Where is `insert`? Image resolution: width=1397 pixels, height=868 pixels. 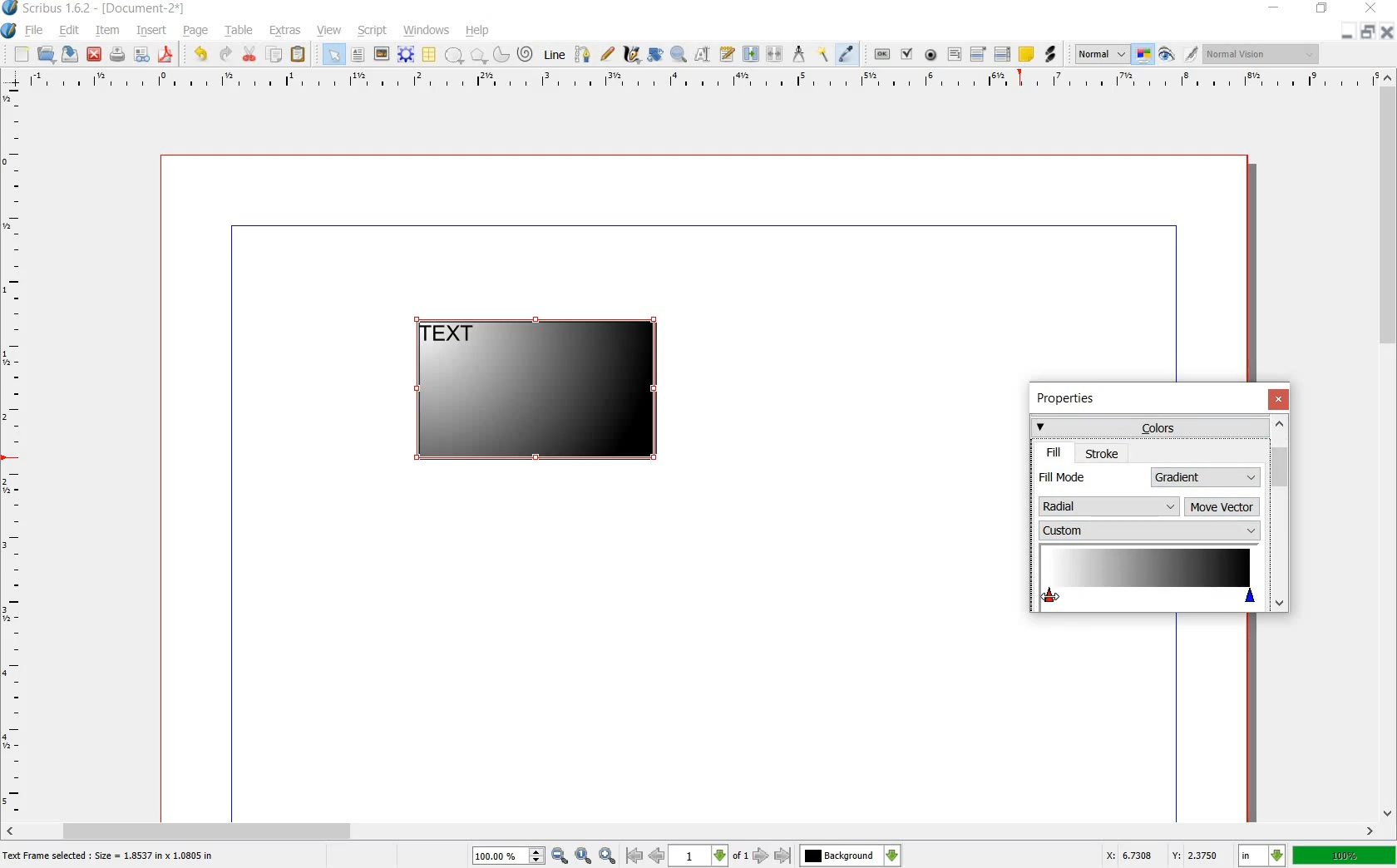 insert is located at coordinates (152, 32).